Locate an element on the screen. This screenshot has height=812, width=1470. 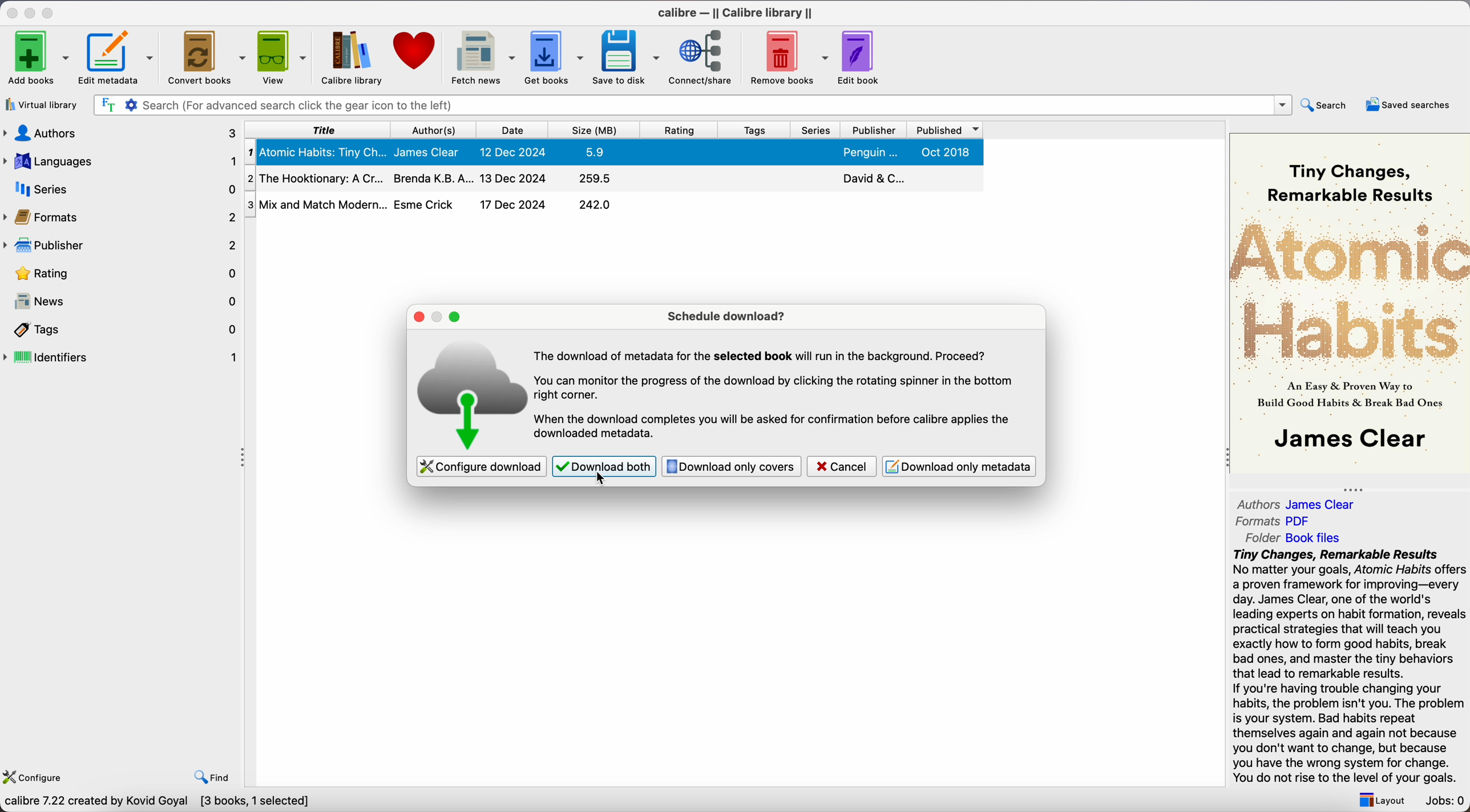
tags is located at coordinates (754, 130).